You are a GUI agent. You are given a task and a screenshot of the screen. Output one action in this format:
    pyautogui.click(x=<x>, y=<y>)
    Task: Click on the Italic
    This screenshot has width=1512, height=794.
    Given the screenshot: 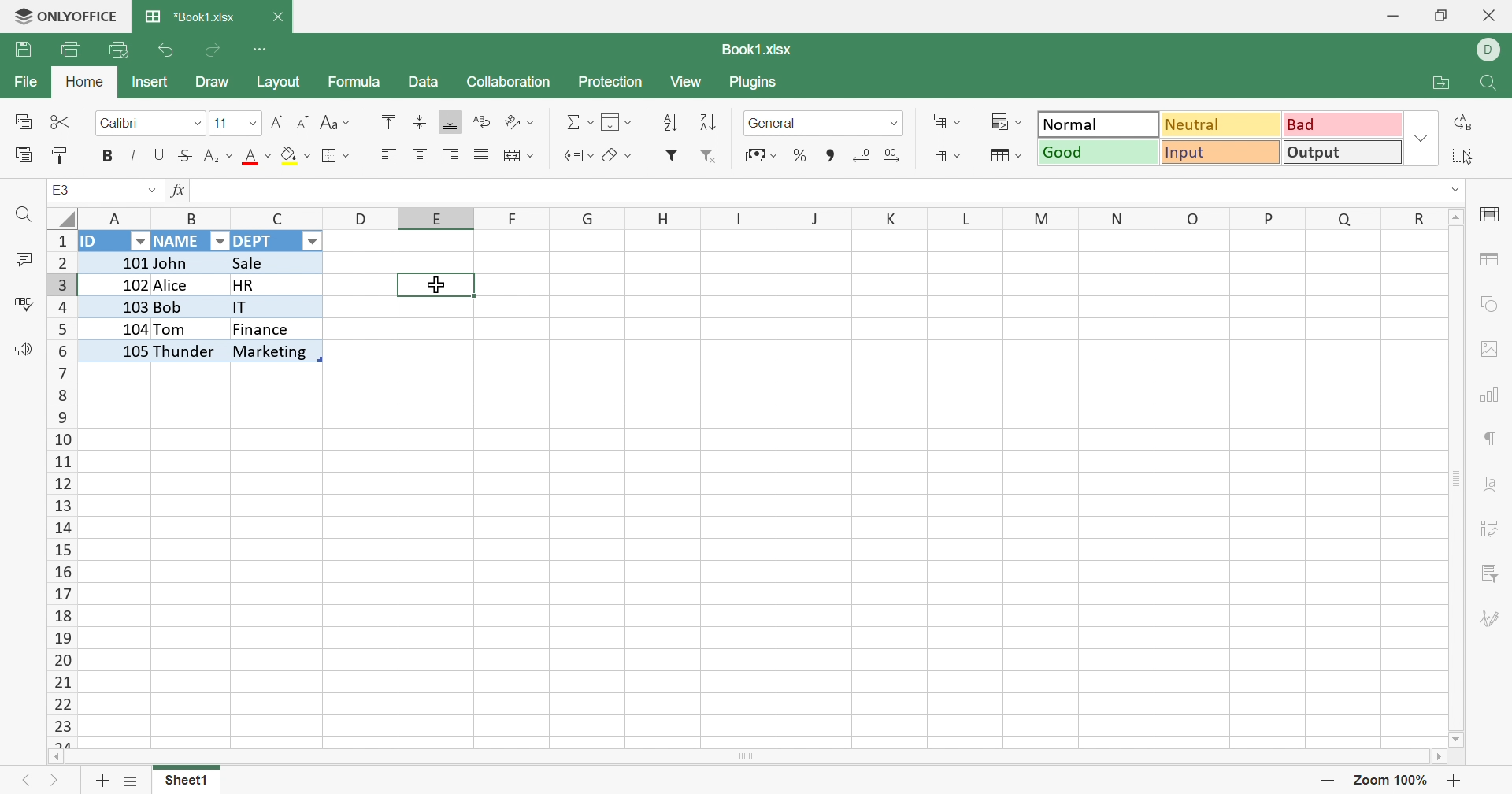 What is the action you would take?
    pyautogui.click(x=134, y=157)
    